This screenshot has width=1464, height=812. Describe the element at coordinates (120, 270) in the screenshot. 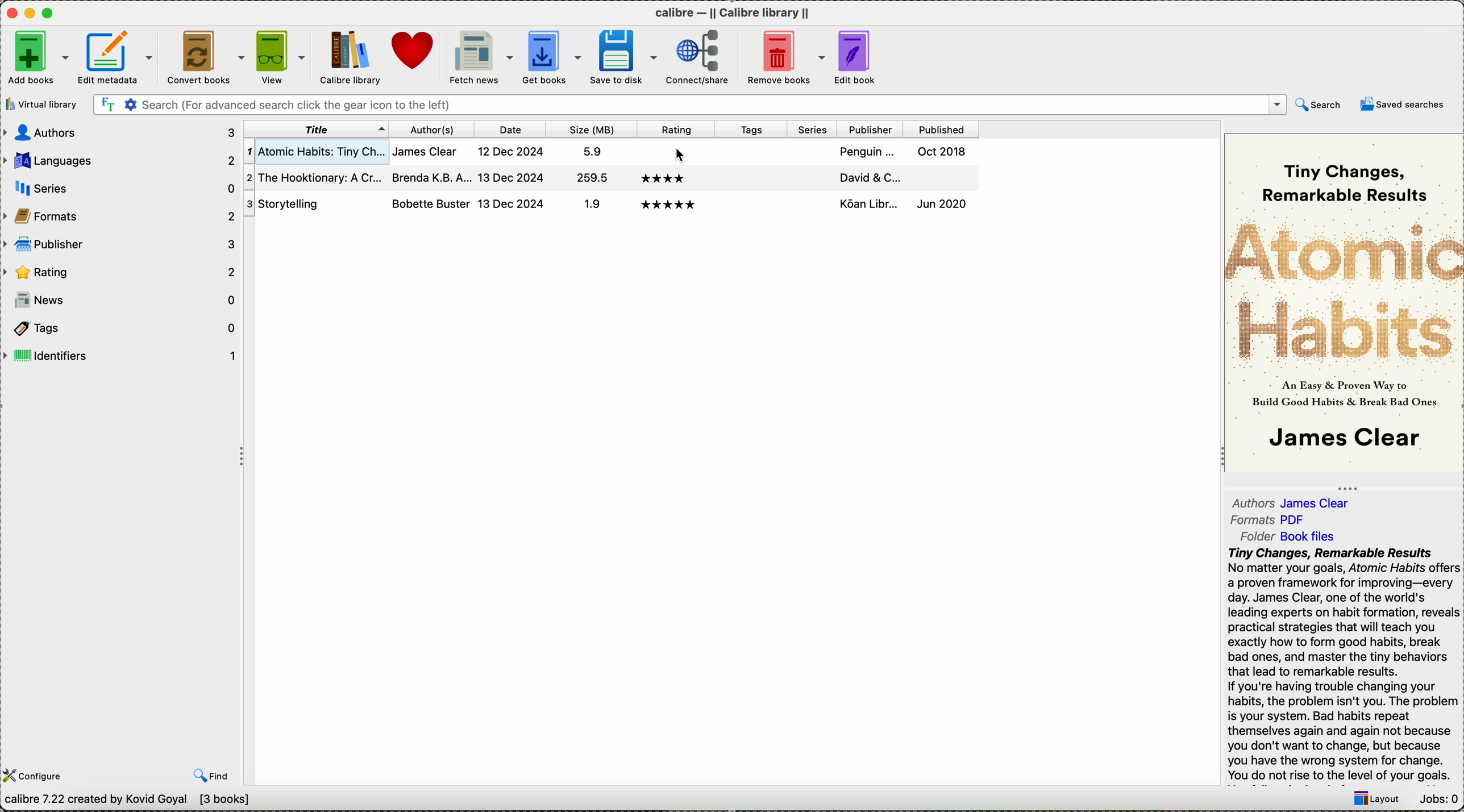

I see `rating` at that location.